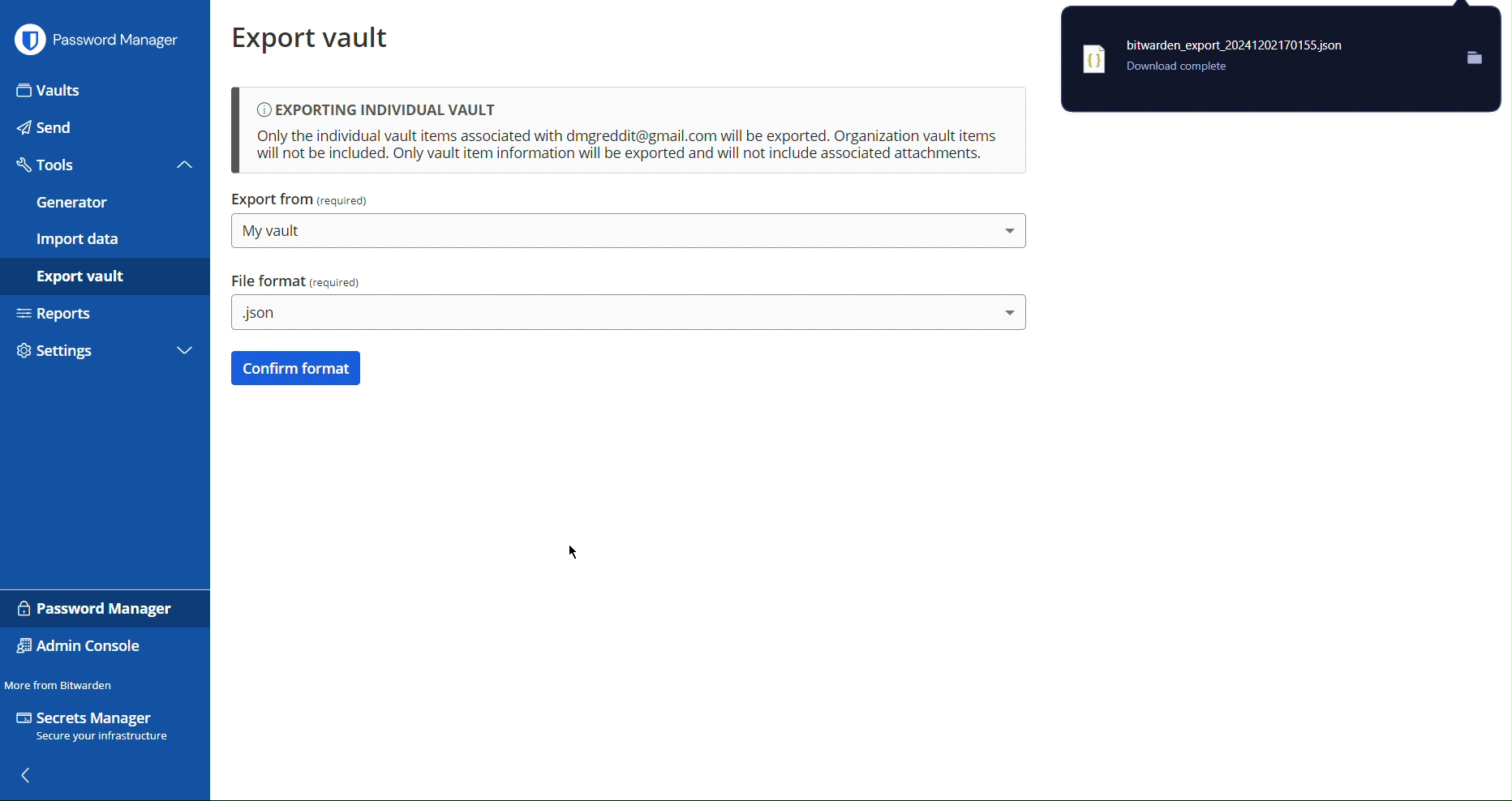 This screenshot has height=801, width=1512. I want to click on cursor, so click(573, 552).